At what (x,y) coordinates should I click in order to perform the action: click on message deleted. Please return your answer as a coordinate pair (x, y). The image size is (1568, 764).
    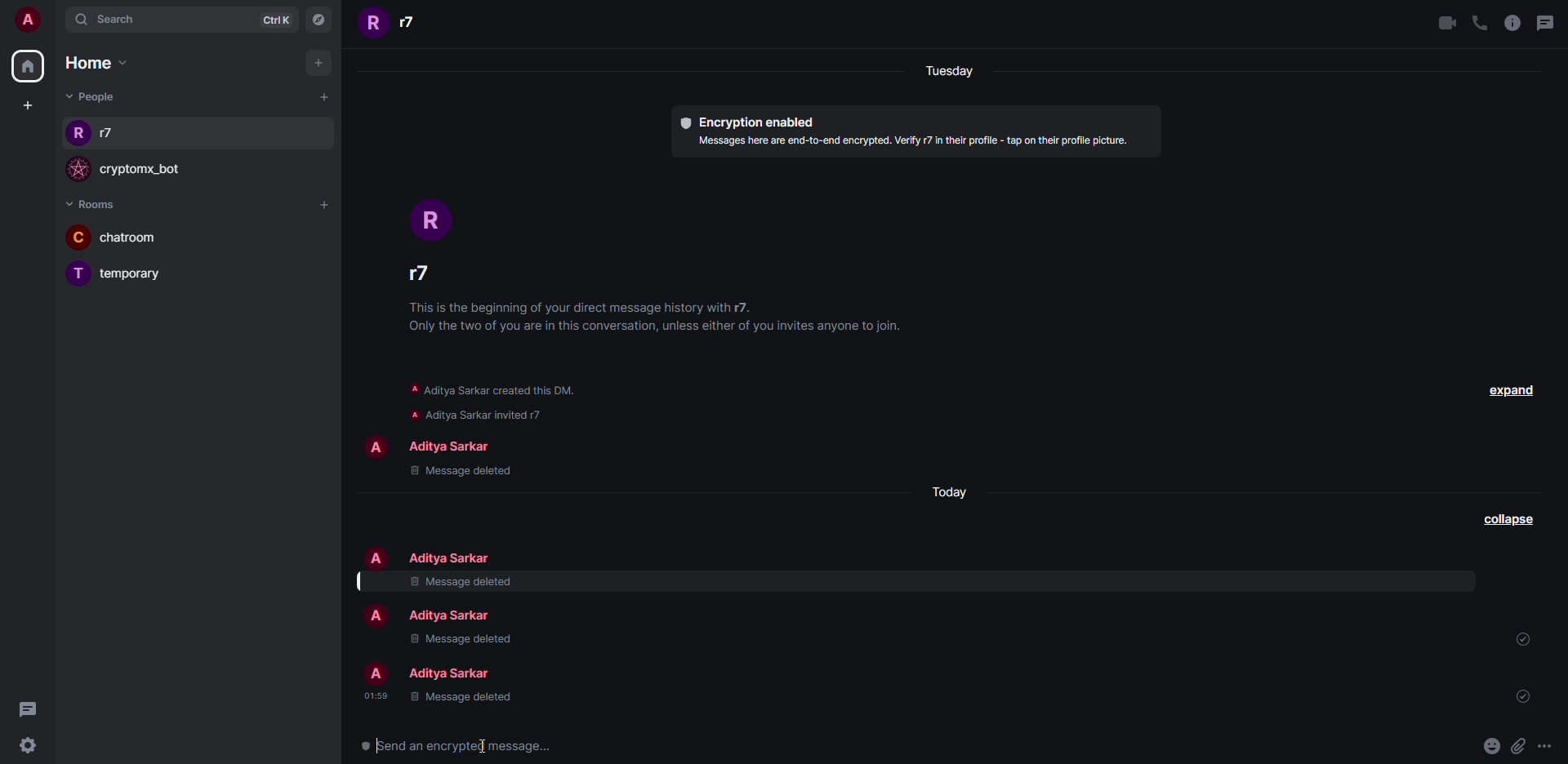
    Looking at the image, I should click on (460, 582).